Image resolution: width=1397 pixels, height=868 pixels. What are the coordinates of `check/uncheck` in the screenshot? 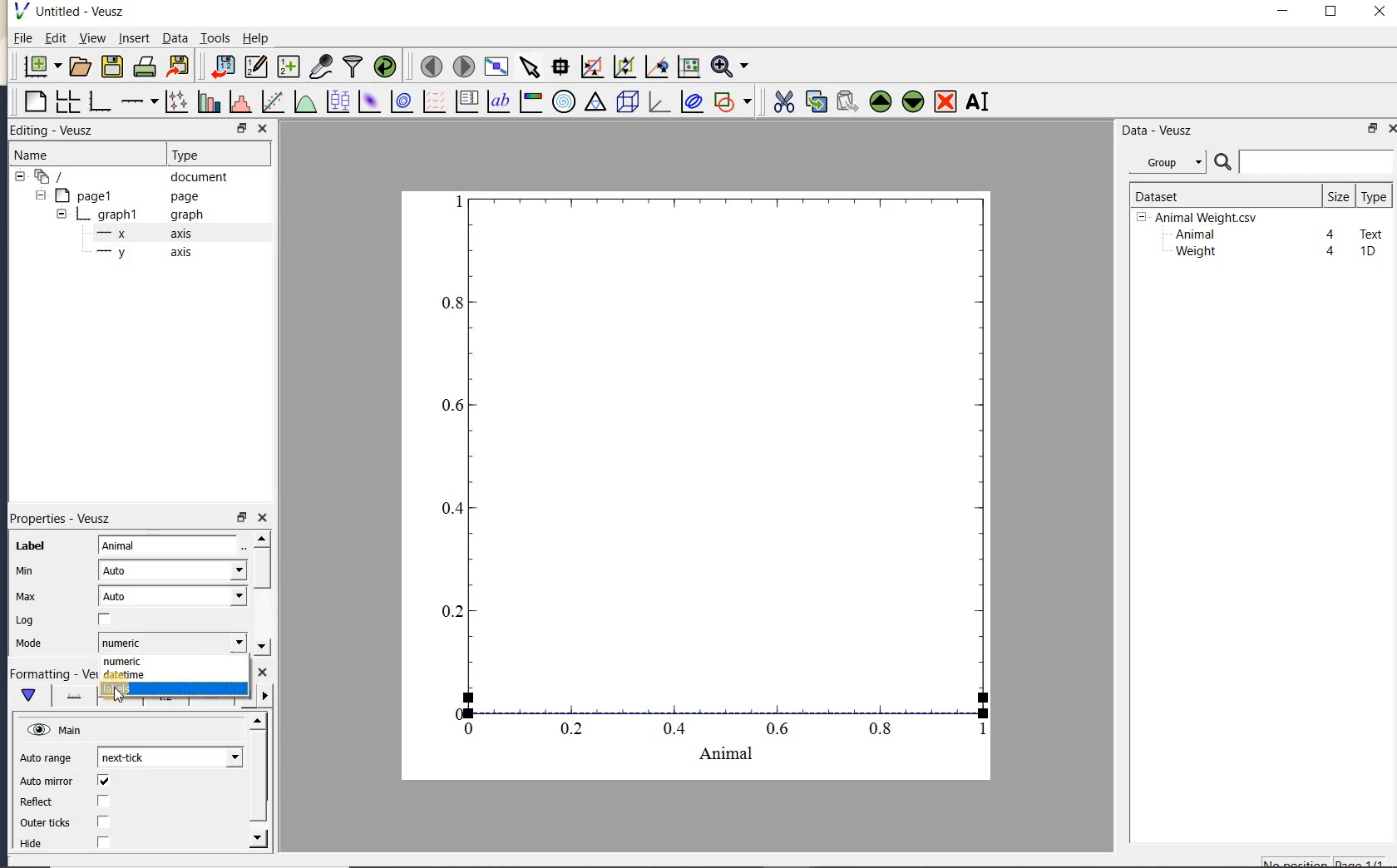 It's located at (102, 841).